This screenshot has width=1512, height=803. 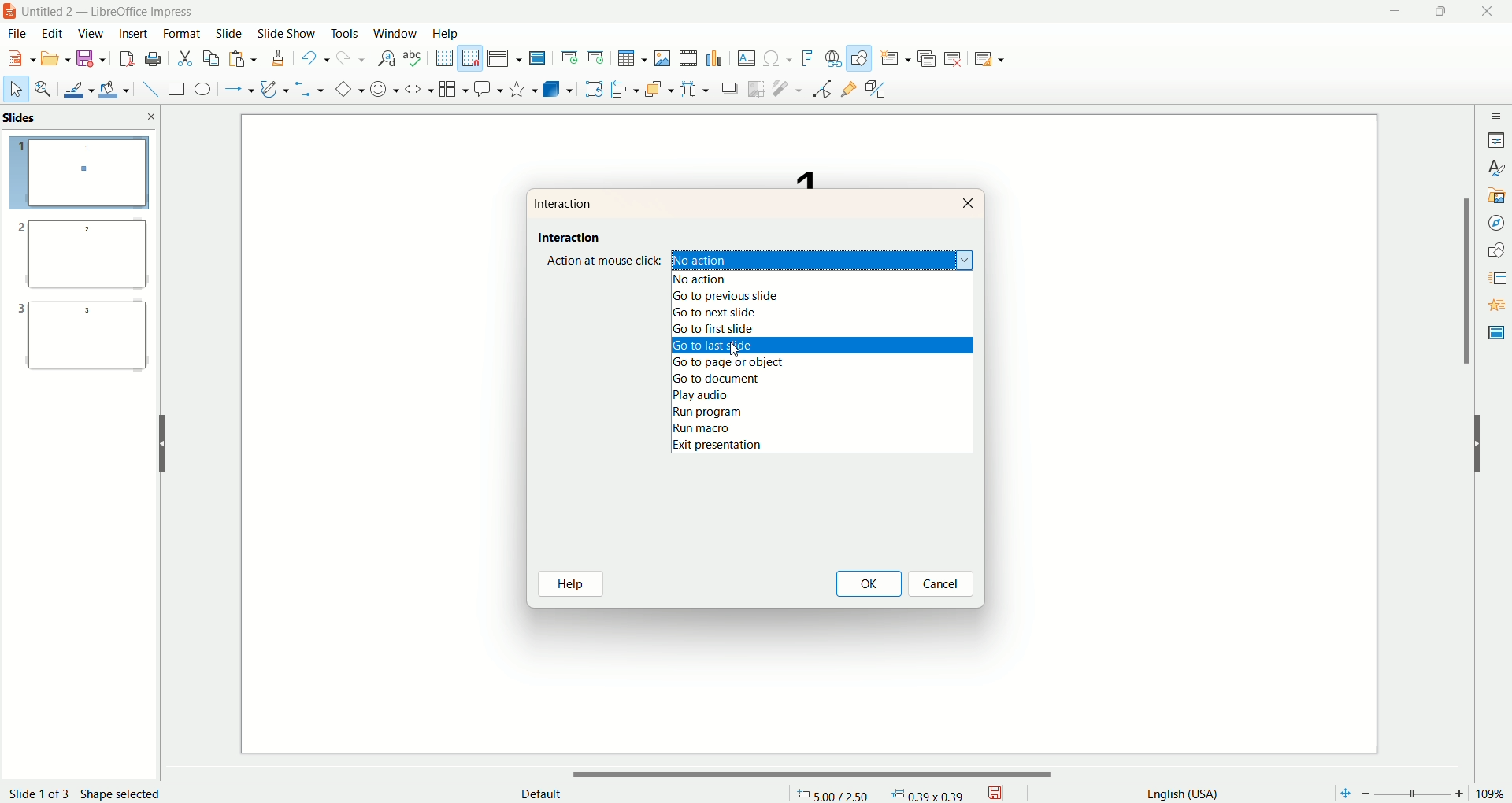 I want to click on undo, so click(x=313, y=60).